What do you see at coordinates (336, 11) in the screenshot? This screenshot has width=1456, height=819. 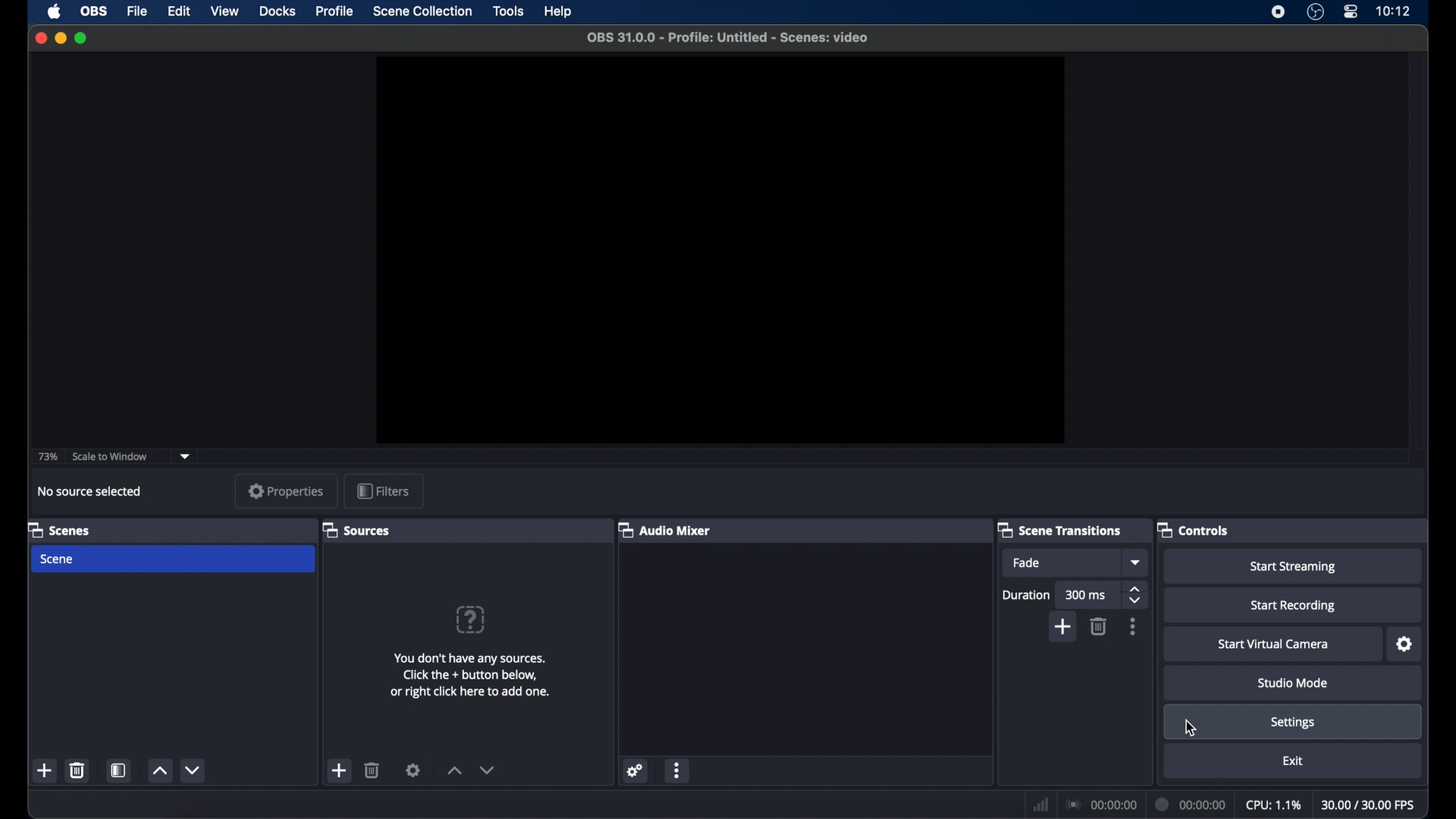 I see `profile` at bounding box center [336, 11].